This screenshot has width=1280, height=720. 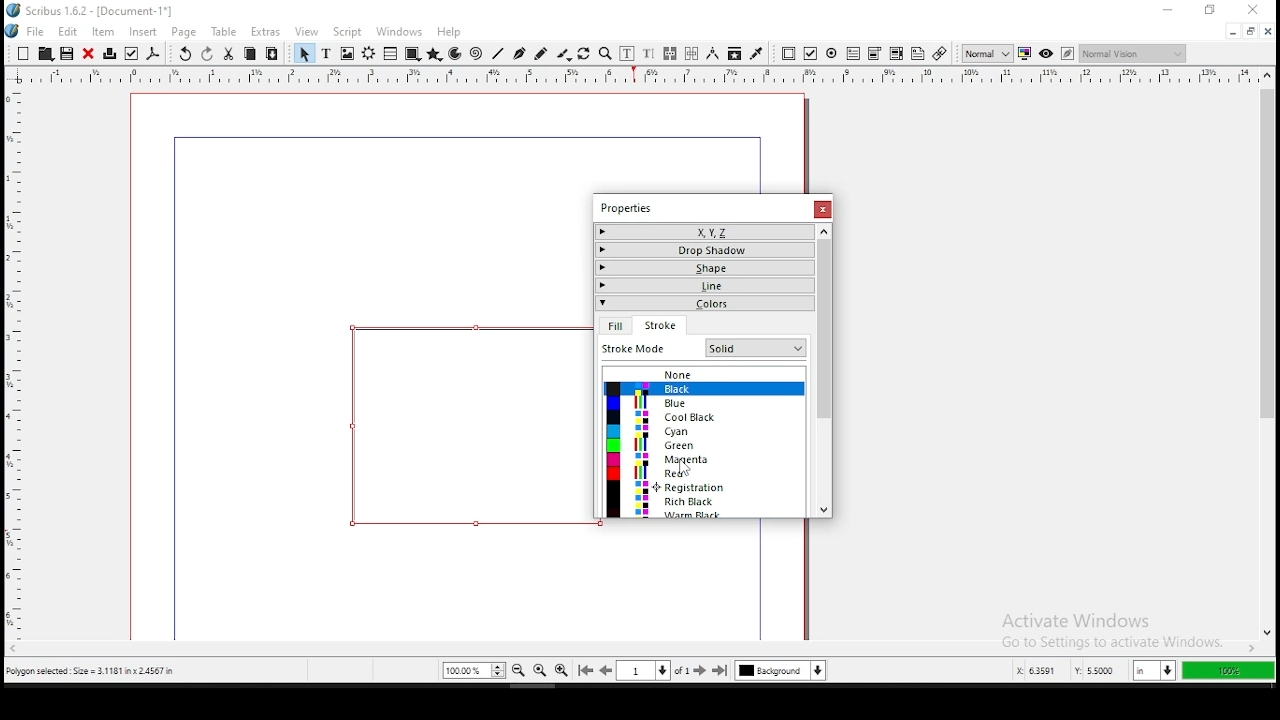 I want to click on rotate item, so click(x=584, y=54).